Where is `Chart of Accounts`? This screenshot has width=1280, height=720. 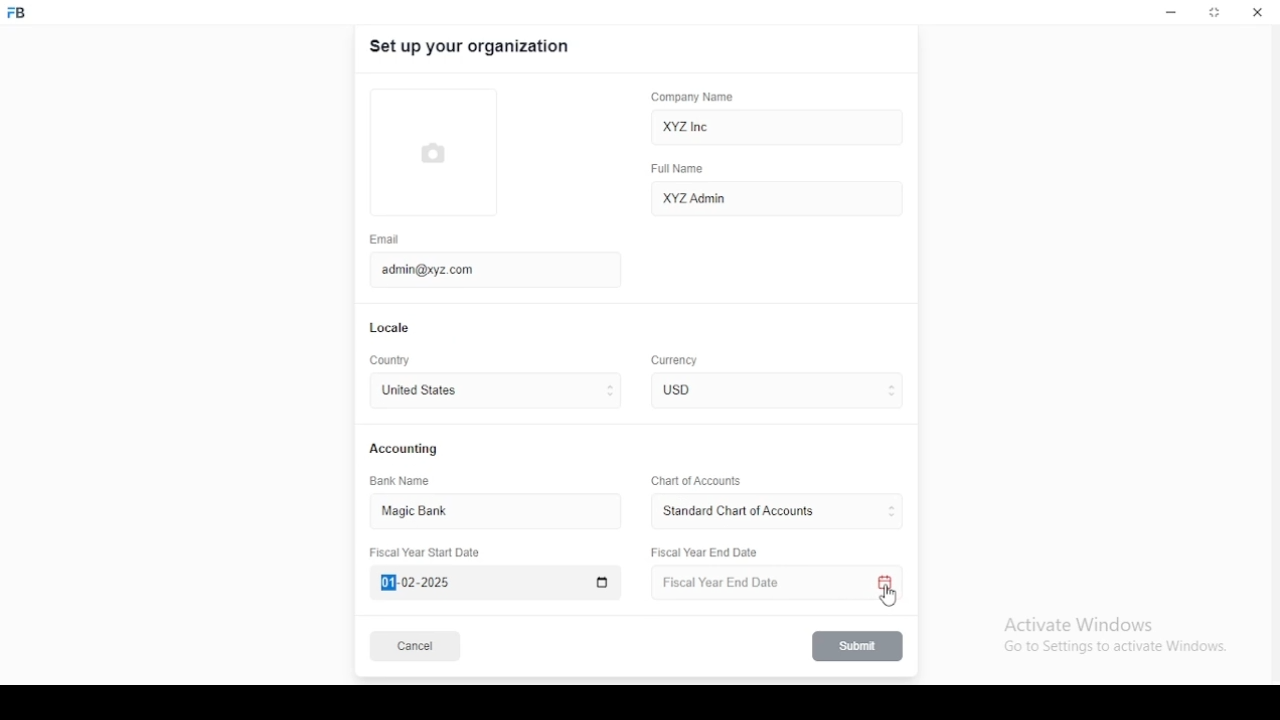 Chart of Accounts is located at coordinates (693, 480).